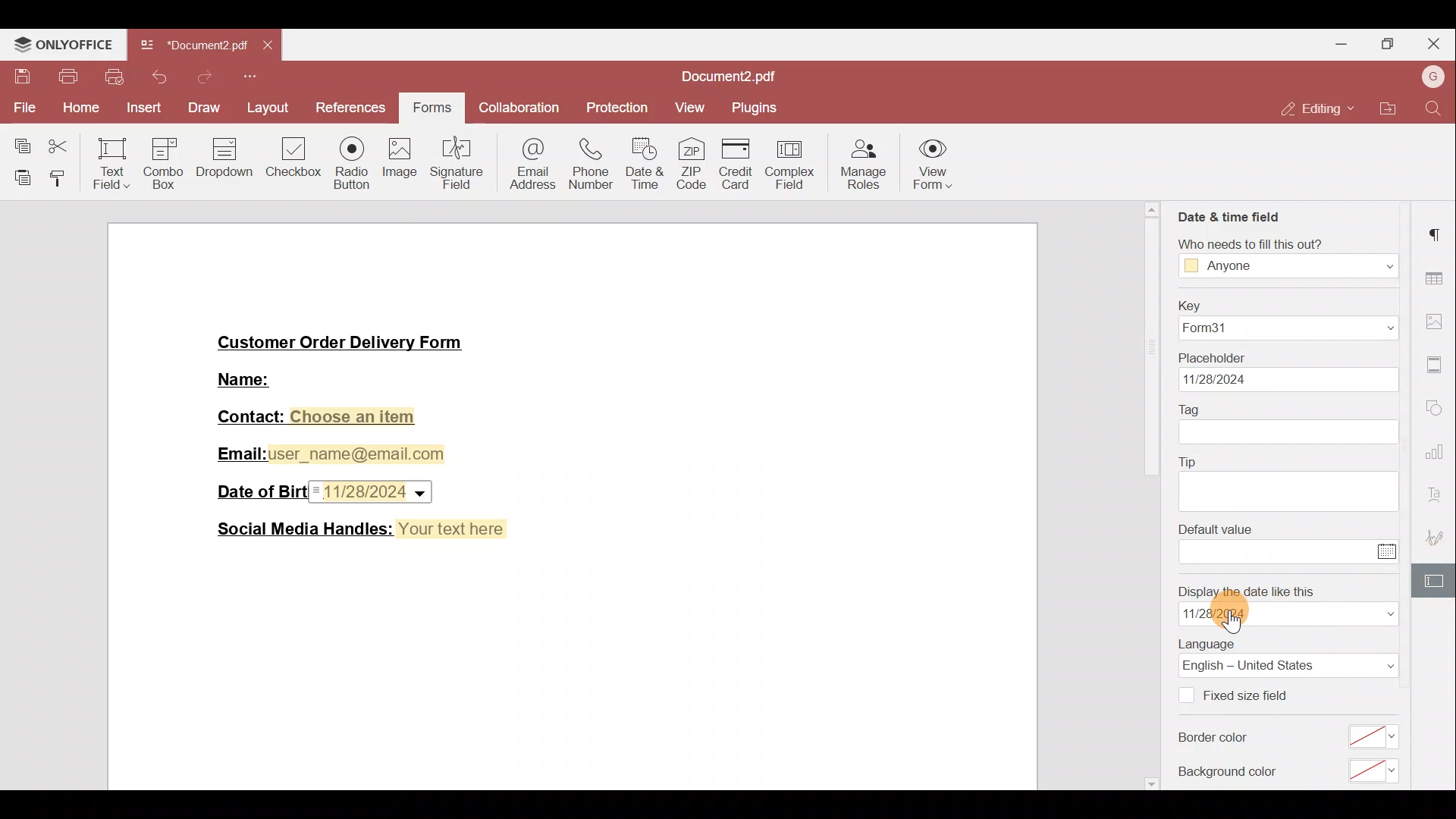 This screenshot has height=819, width=1456. Describe the element at coordinates (61, 176) in the screenshot. I see `Copy style` at that location.